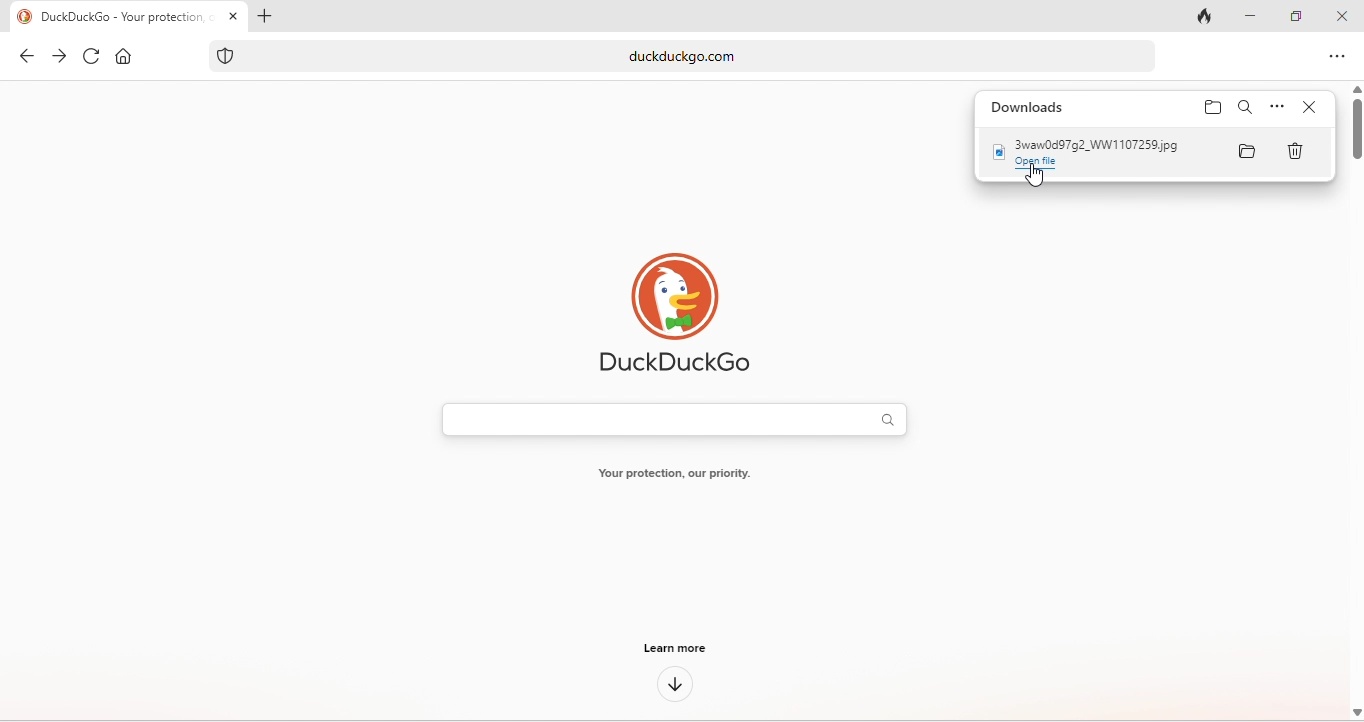 The height and width of the screenshot is (722, 1364). Describe the element at coordinates (21, 57) in the screenshot. I see `back` at that location.